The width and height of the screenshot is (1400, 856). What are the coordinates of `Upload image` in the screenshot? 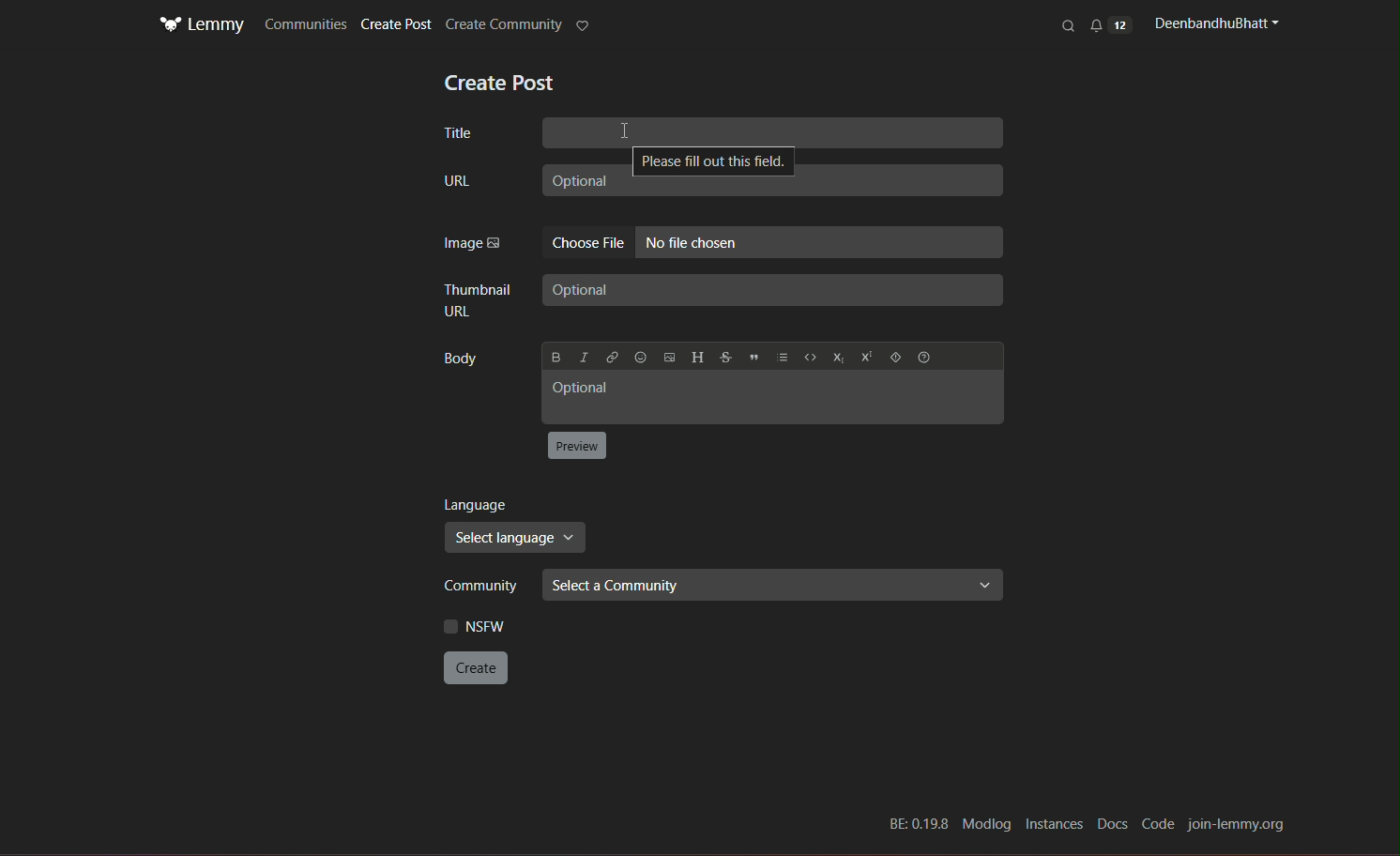 It's located at (667, 356).